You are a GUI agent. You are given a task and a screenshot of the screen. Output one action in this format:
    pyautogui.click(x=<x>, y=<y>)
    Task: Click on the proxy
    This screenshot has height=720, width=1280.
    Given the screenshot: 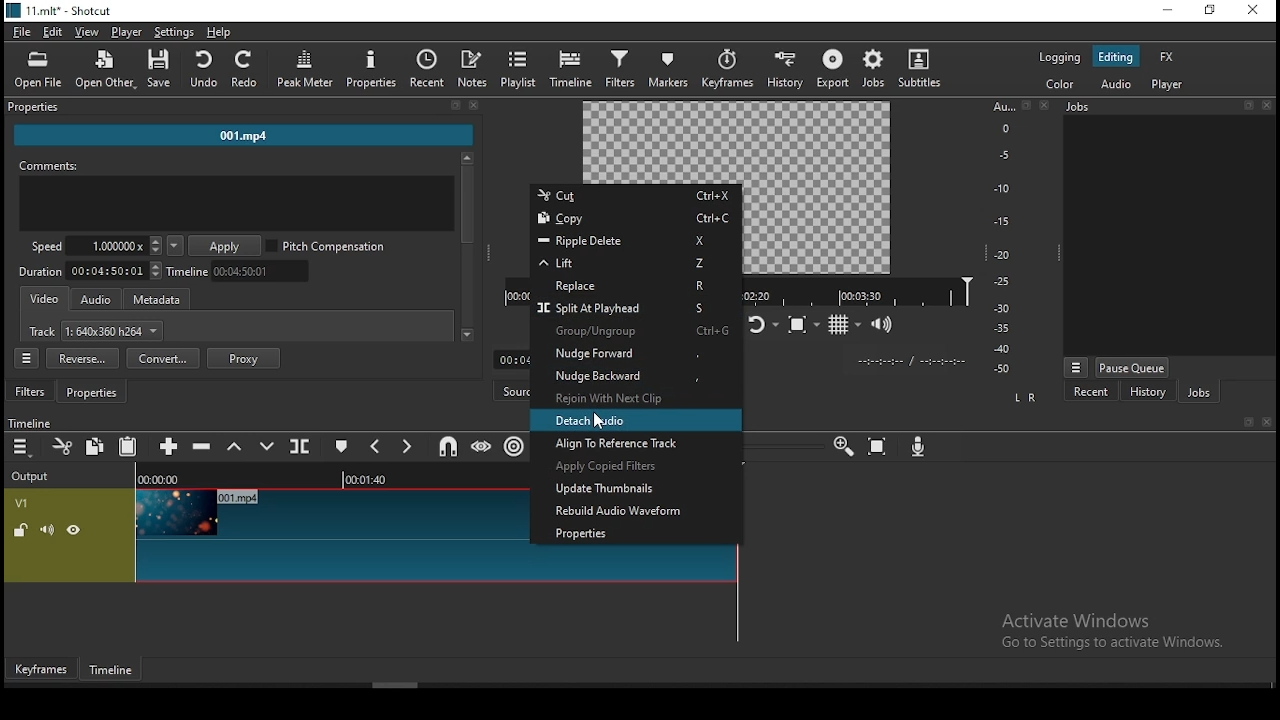 What is the action you would take?
    pyautogui.click(x=245, y=358)
    